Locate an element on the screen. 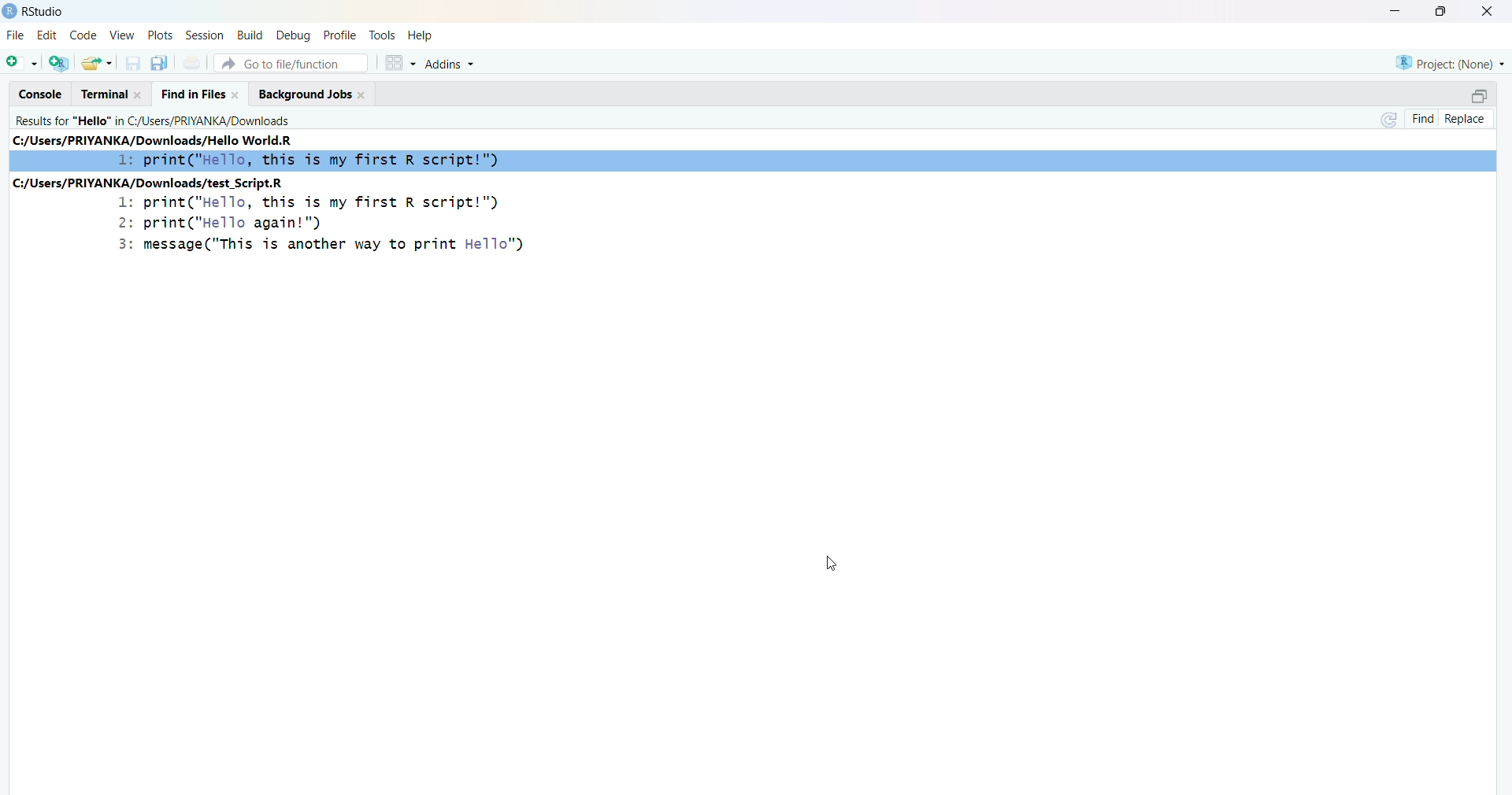 This screenshot has width=1512, height=795. go to file/function is located at coordinates (292, 63).